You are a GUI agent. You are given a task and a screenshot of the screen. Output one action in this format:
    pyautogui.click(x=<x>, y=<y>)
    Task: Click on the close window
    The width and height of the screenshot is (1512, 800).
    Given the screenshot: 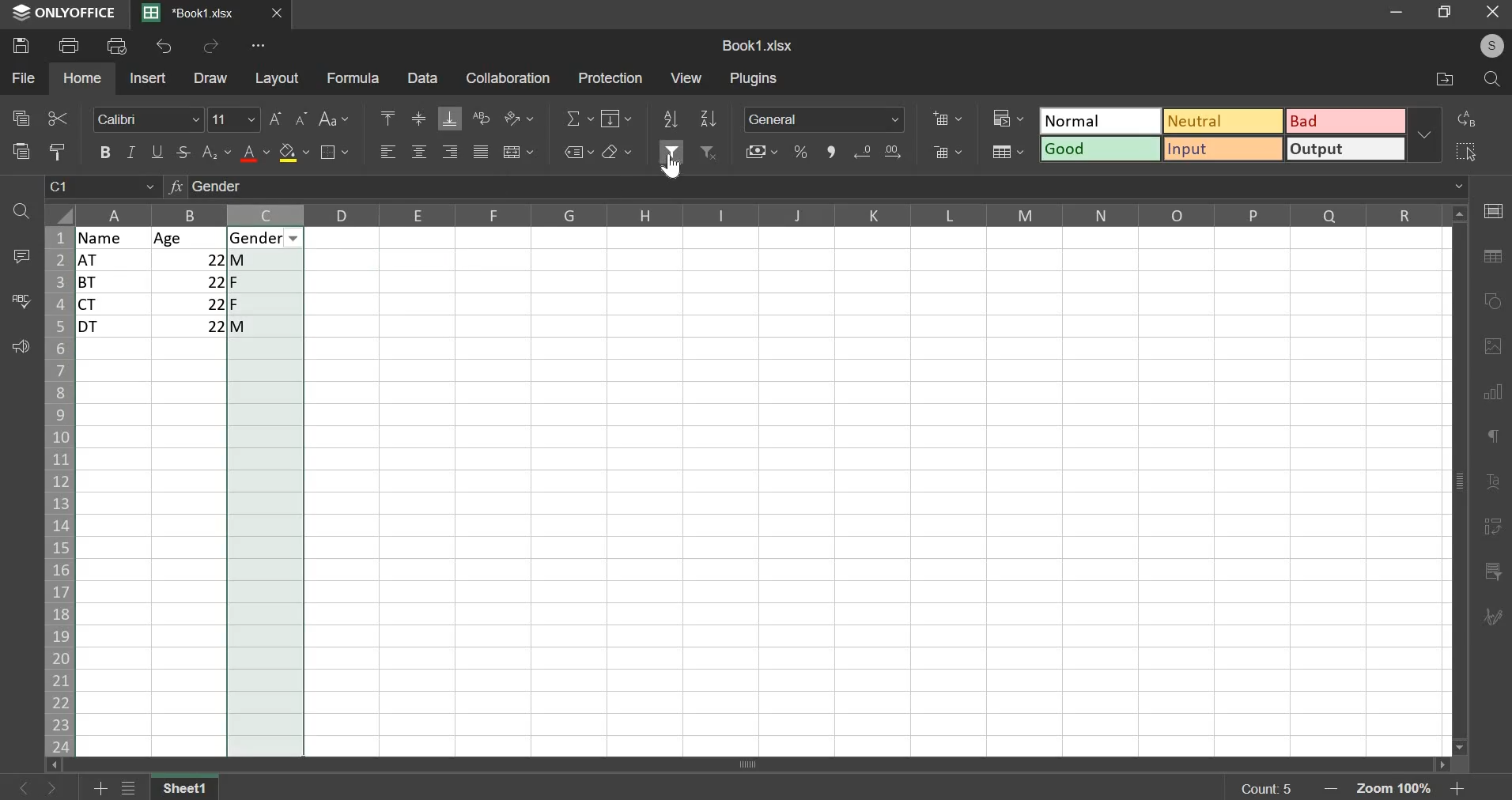 What is the action you would take?
    pyautogui.click(x=1491, y=15)
    